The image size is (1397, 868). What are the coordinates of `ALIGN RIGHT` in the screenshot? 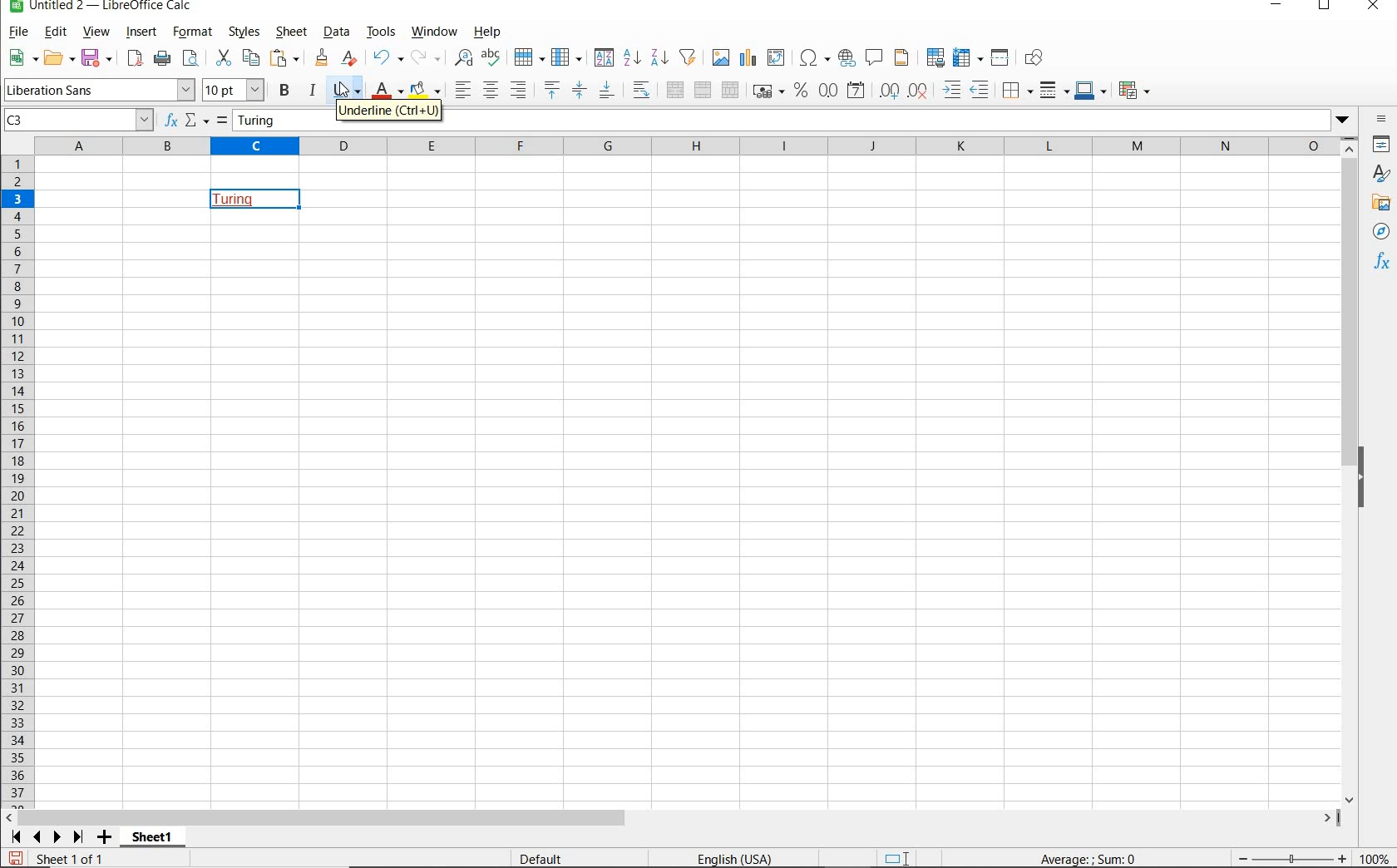 It's located at (518, 91).